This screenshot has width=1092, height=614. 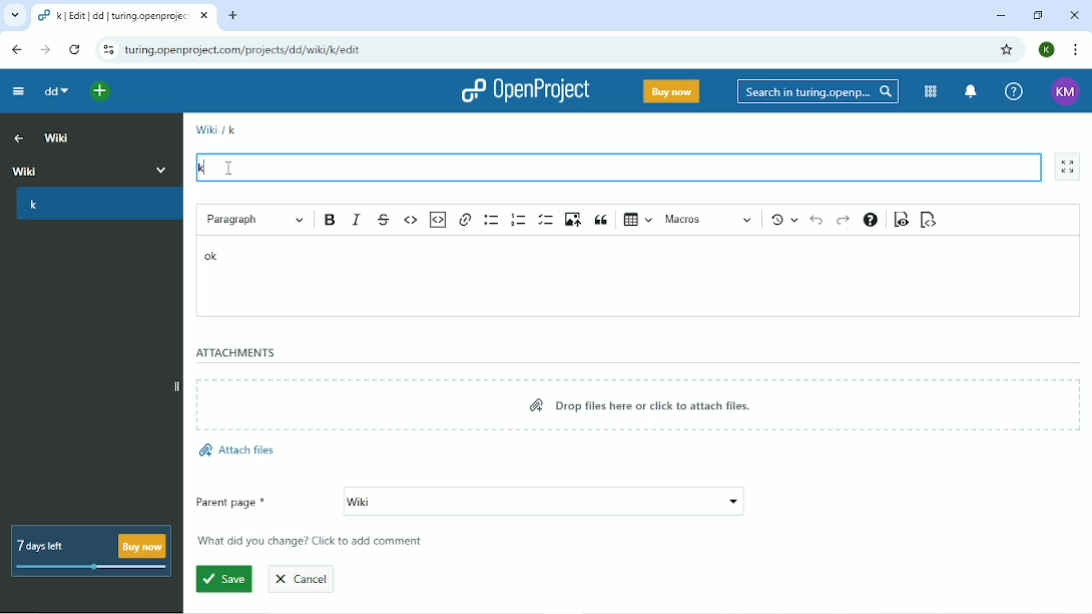 I want to click on Switch to markdown mode, so click(x=929, y=219).